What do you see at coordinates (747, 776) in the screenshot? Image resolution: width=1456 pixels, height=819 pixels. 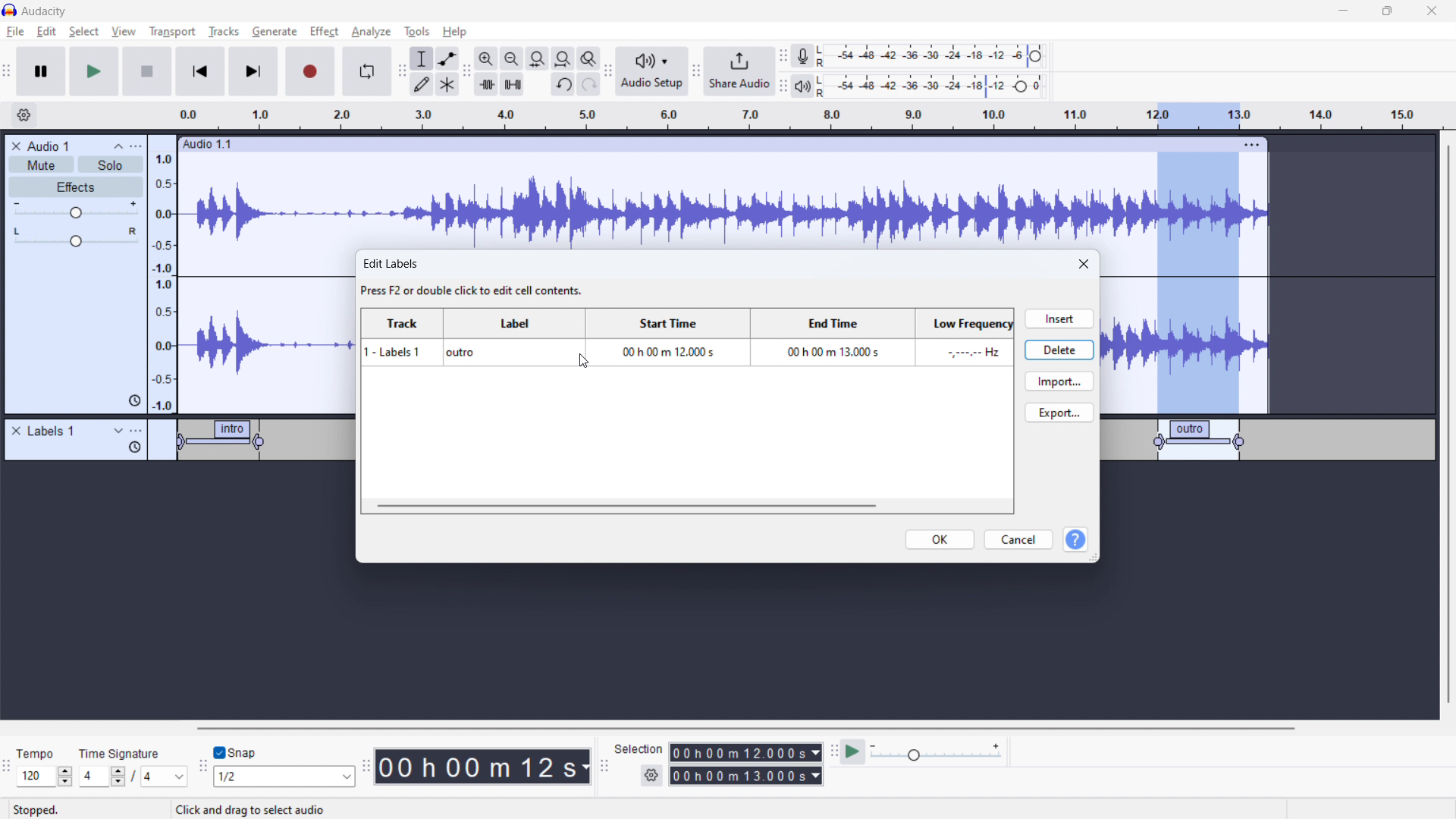 I see `selection end time` at bounding box center [747, 776].